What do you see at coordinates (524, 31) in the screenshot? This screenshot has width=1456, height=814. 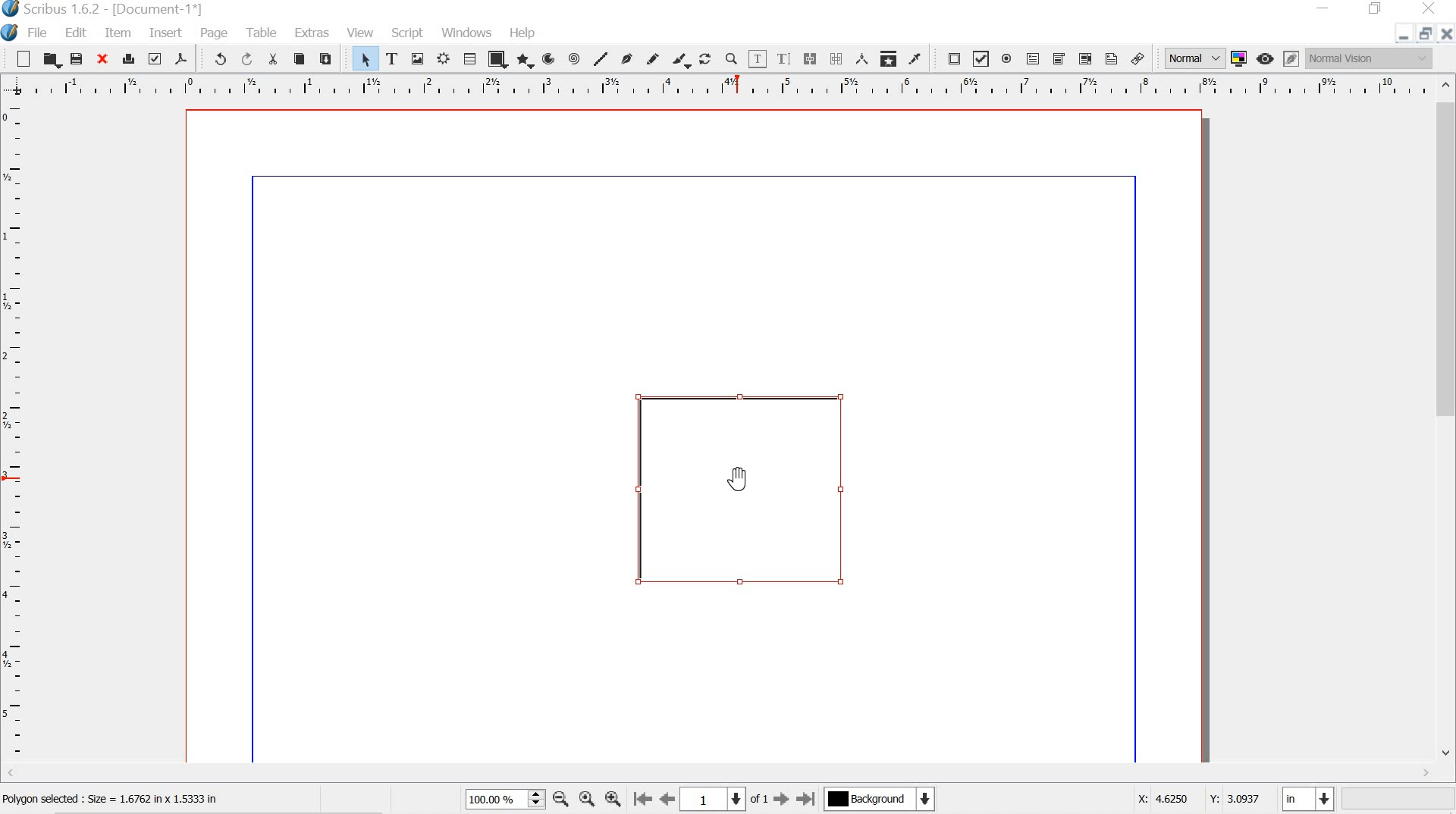 I see `HELP` at bounding box center [524, 31].